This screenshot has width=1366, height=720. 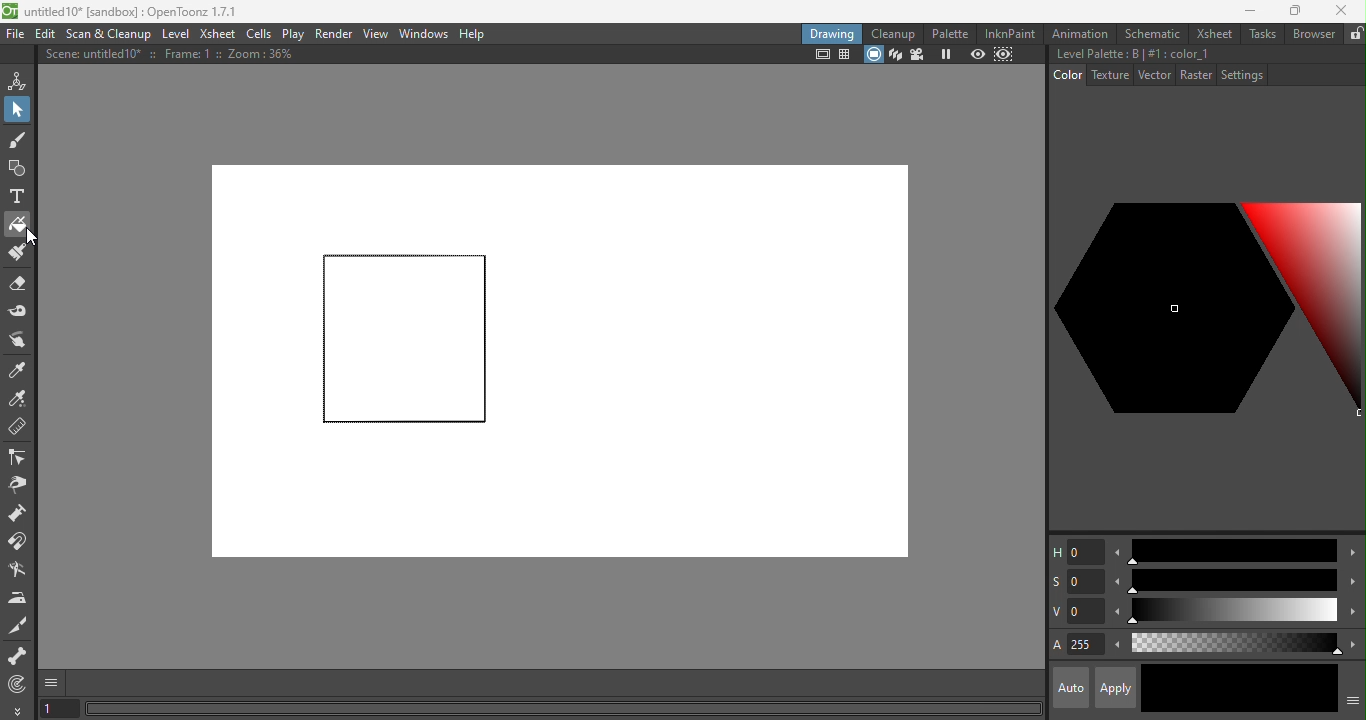 I want to click on Paint brush tool, so click(x=16, y=254).